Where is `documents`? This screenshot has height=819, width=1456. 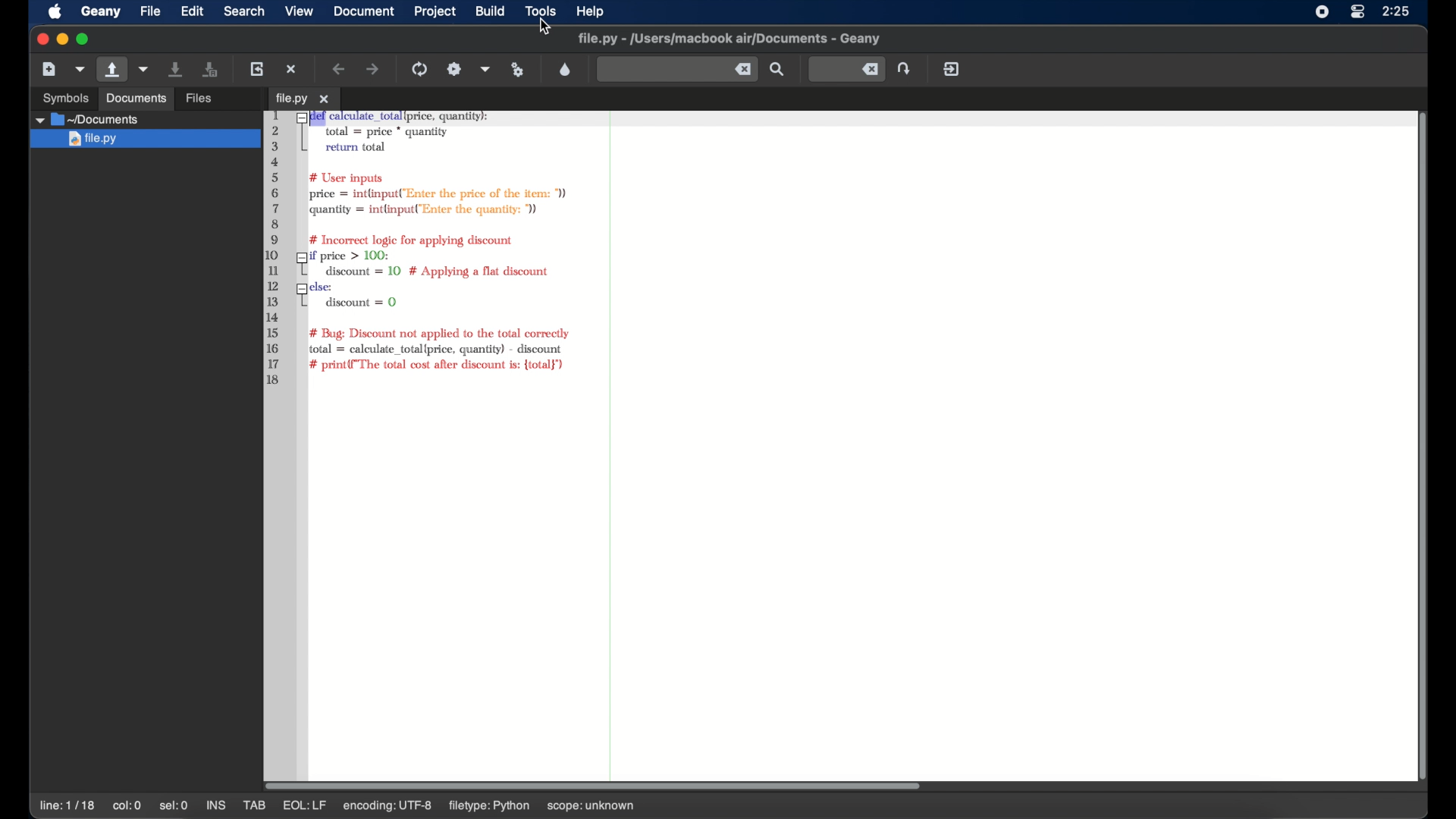
documents is located at coordinates (87, 119).